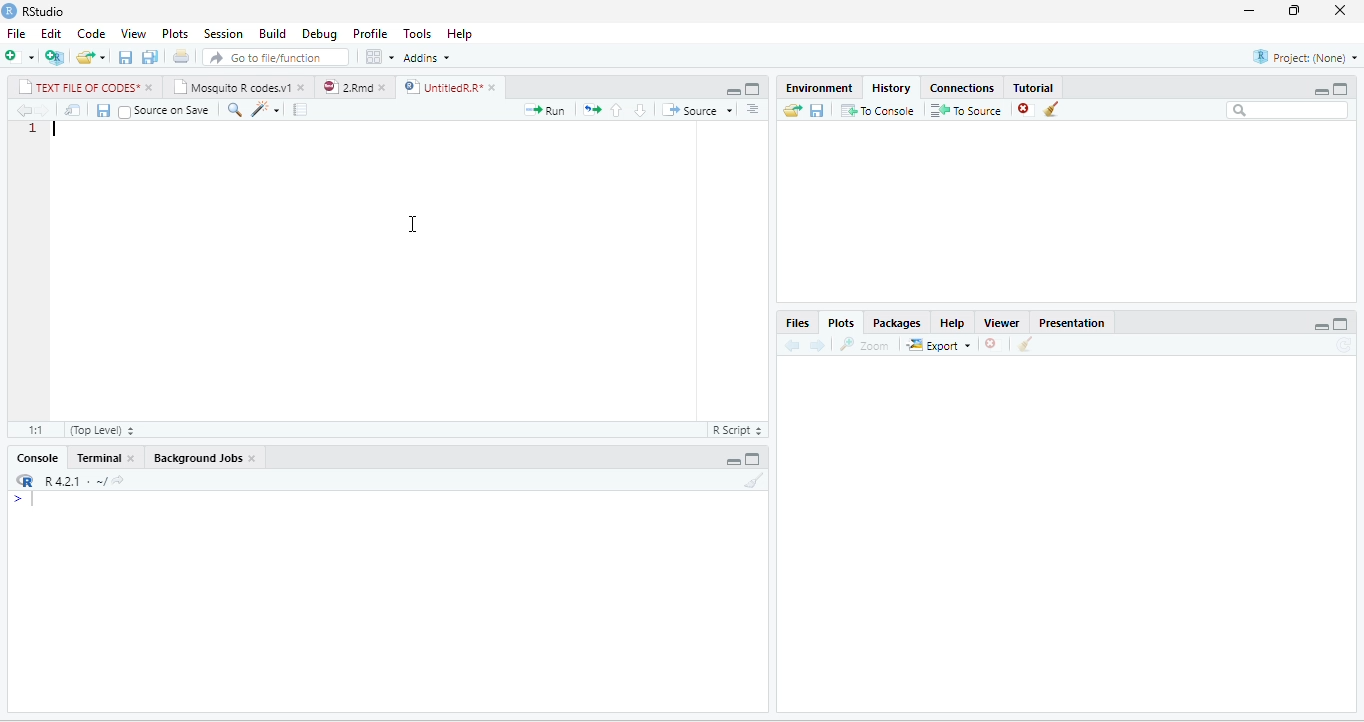 The image size is (1364, 722). What do you see at coordinates (1321, 326) in the screenshot?
I see `minimize` at bounding box center [1321, 326].